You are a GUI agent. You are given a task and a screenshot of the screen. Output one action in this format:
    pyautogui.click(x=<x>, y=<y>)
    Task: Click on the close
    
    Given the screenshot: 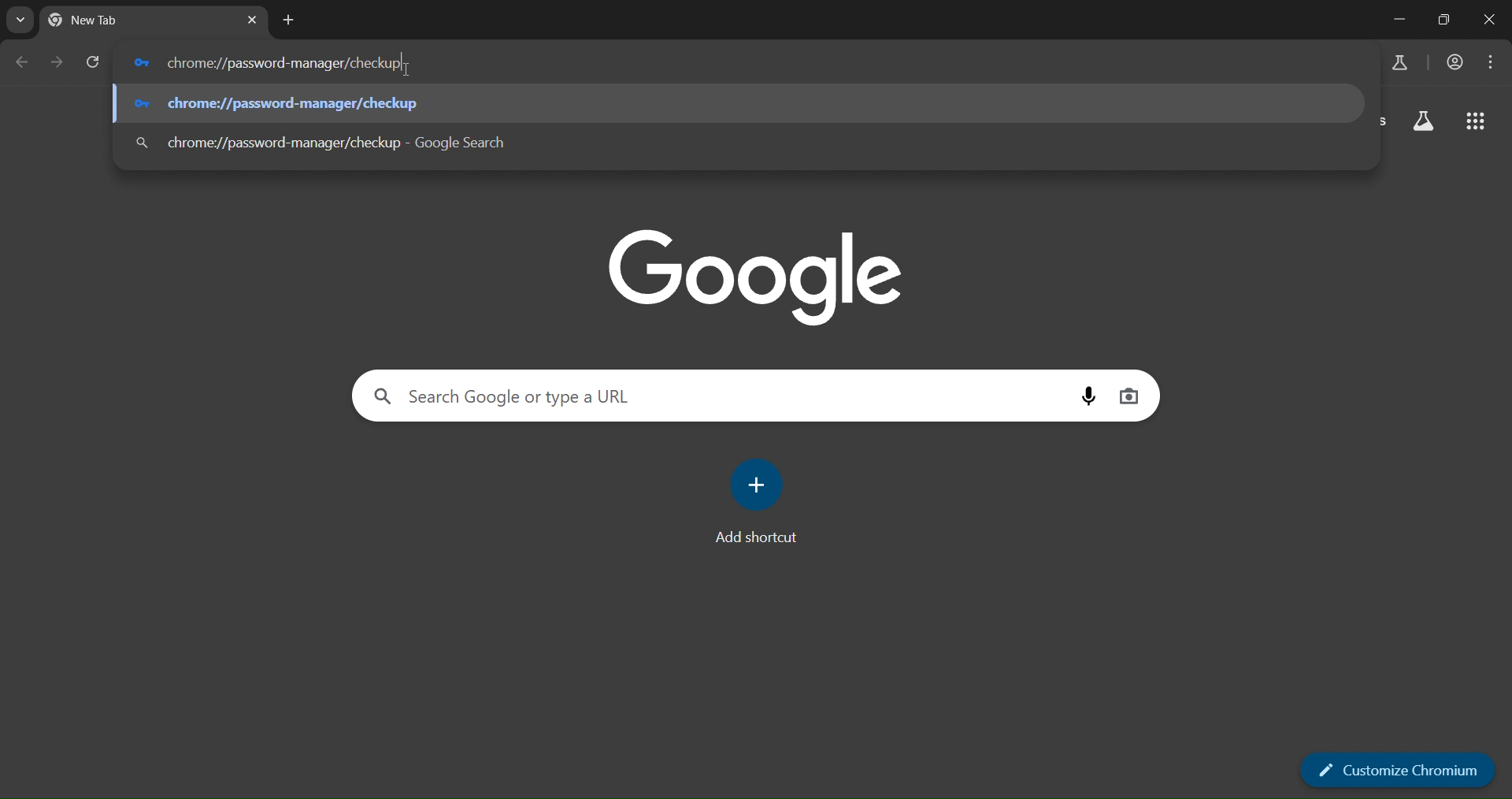 What is the action you would take?
    pyautogui.click(x=1486, y=20)
    